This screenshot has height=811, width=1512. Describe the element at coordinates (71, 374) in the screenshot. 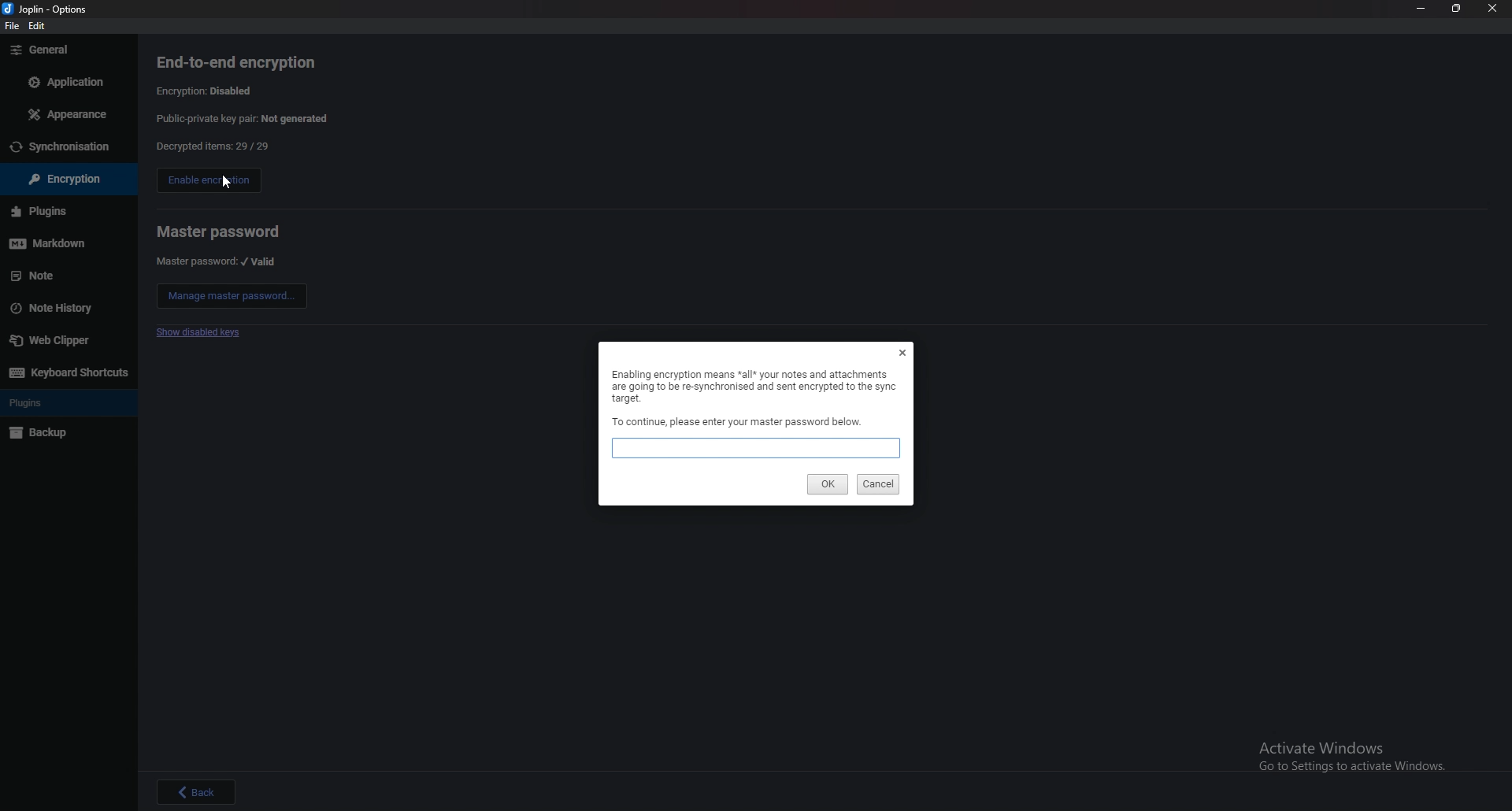

I see `` at that location.